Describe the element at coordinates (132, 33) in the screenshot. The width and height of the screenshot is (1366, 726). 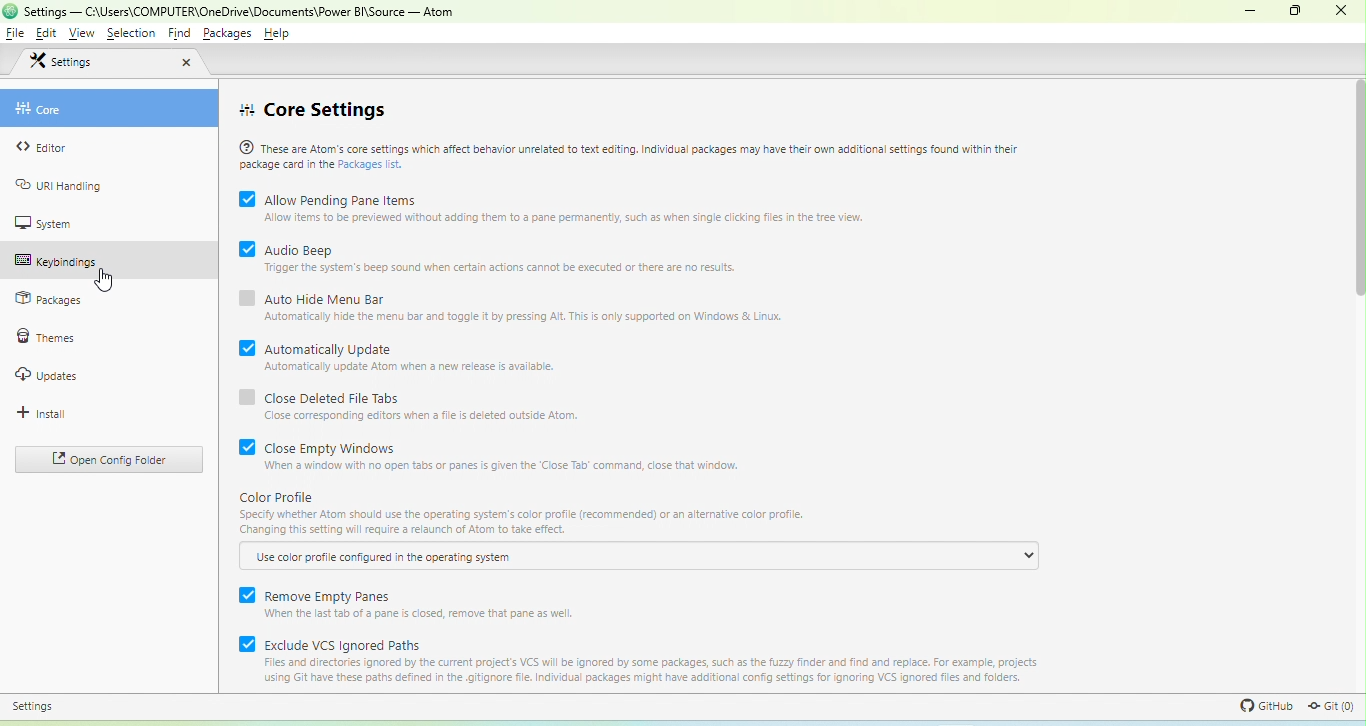
I see `selection menu` at that location.